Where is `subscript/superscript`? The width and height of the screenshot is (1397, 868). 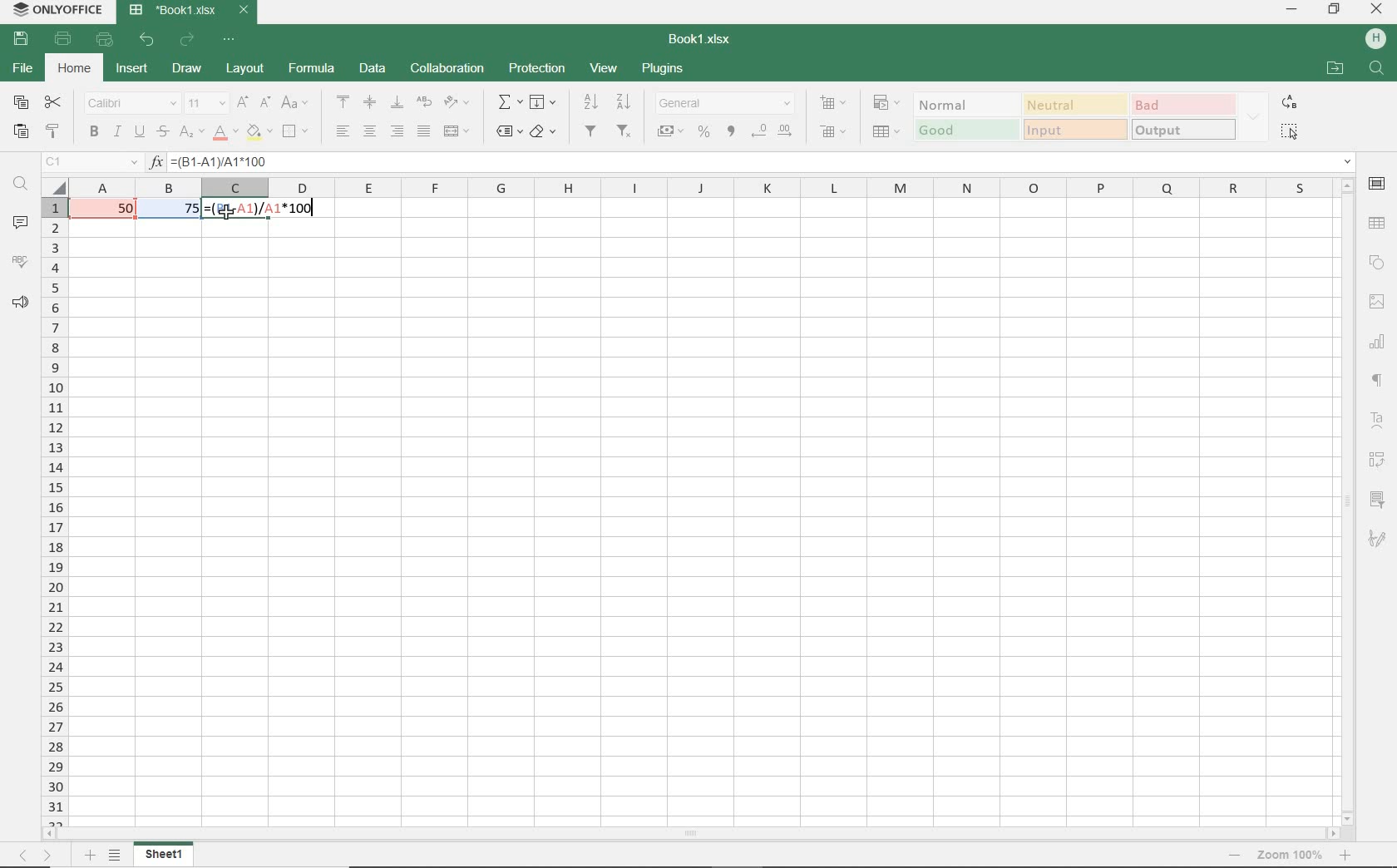 subscript/superscript is located at coordinates (191, 132).